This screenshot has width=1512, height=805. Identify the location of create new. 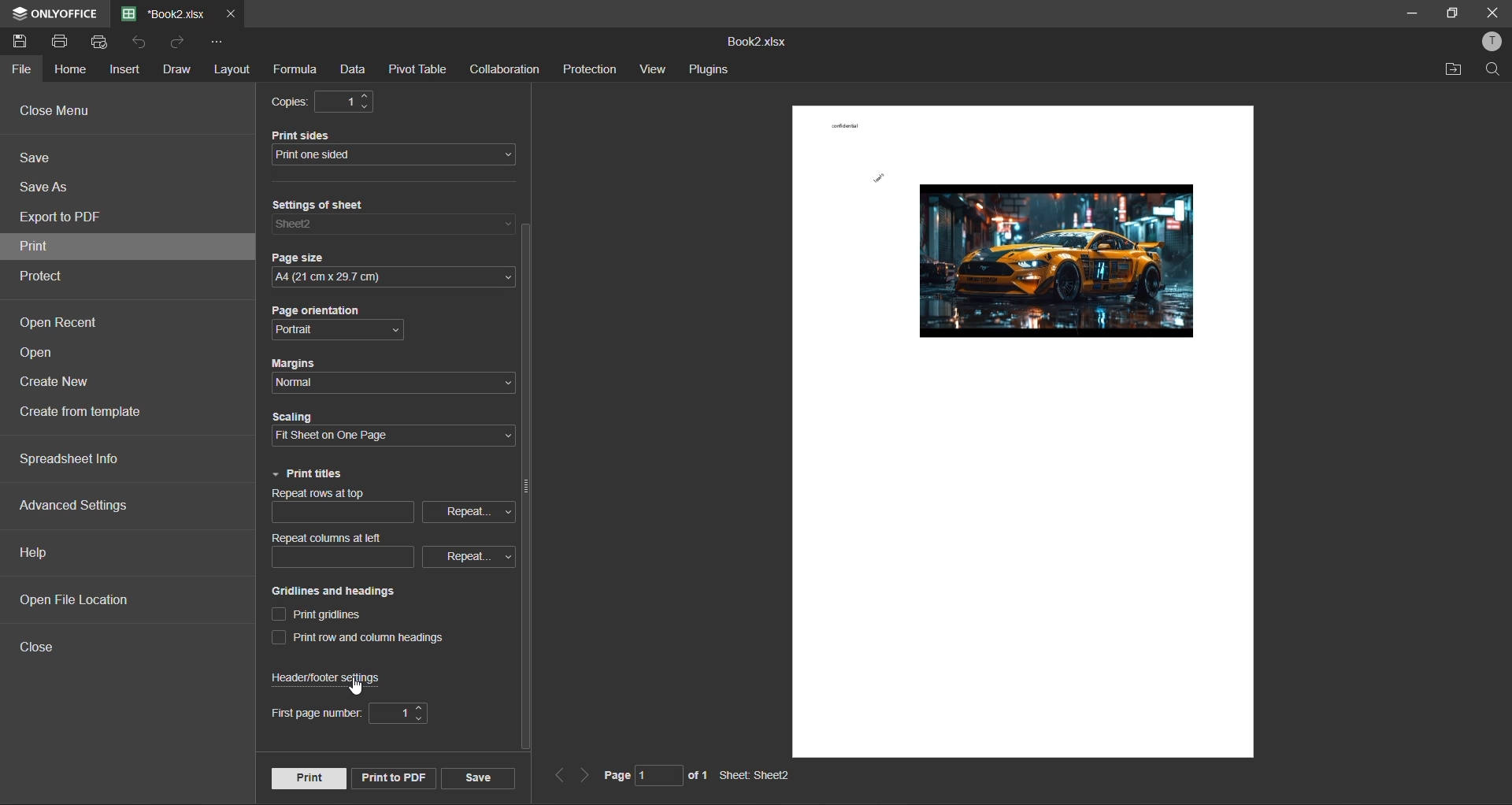
(61, 382).